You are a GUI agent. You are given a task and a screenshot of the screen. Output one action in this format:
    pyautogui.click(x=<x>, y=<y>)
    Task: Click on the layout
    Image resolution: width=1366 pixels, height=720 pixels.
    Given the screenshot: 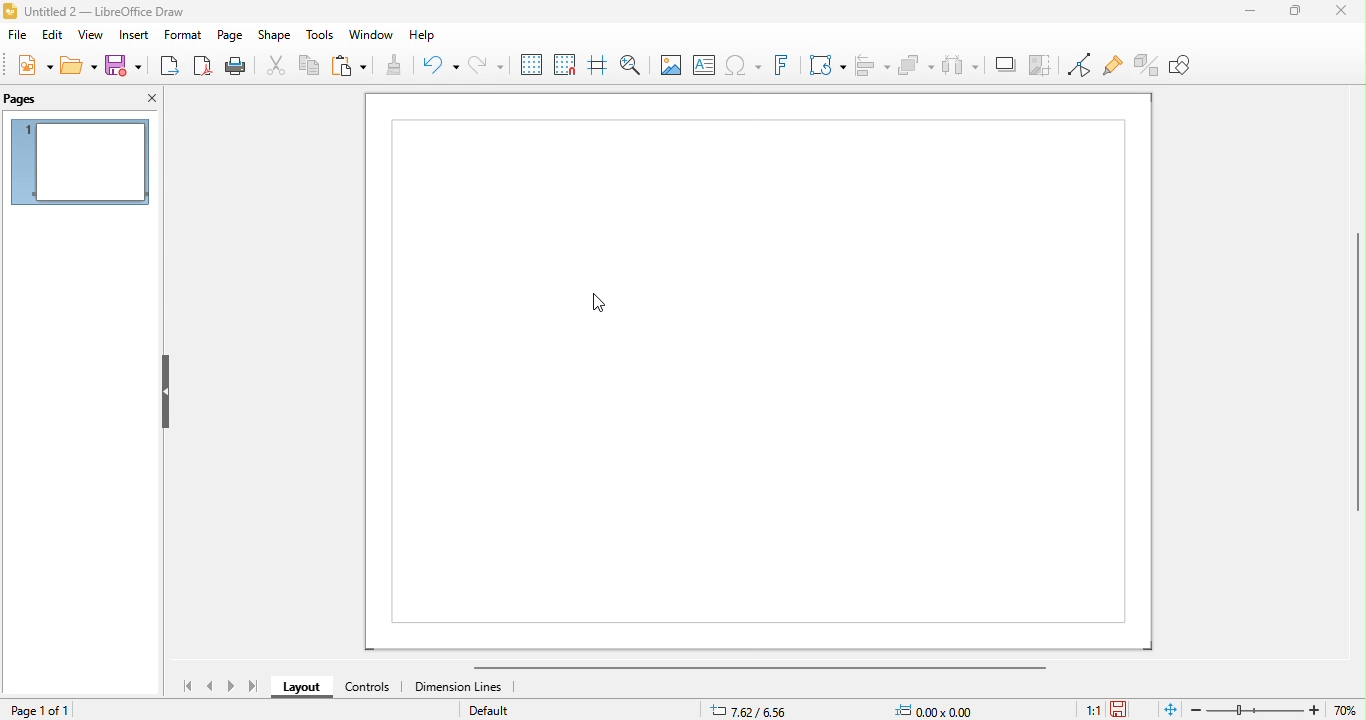 What is the action you would take?
    pyautogui.click(x=299, y=689)
    